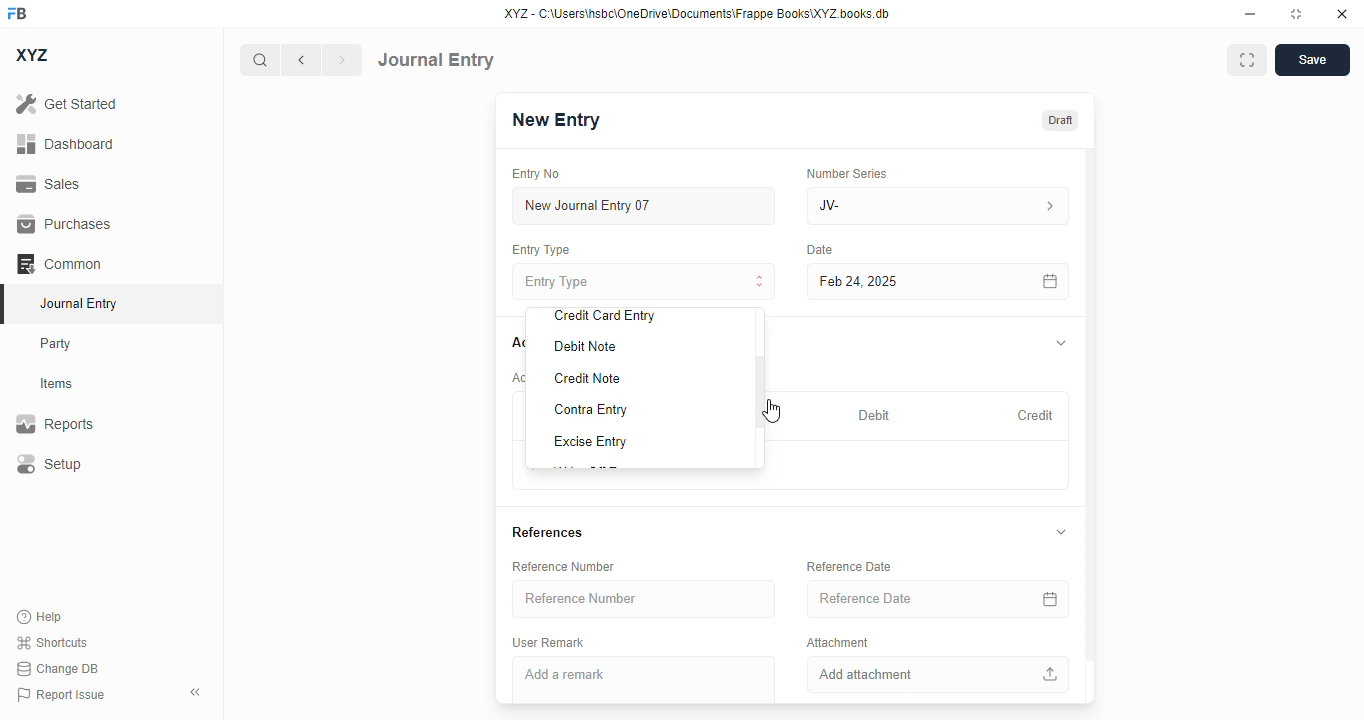 The image size is (1364, 720). I want to click on next, so click(343, 60).